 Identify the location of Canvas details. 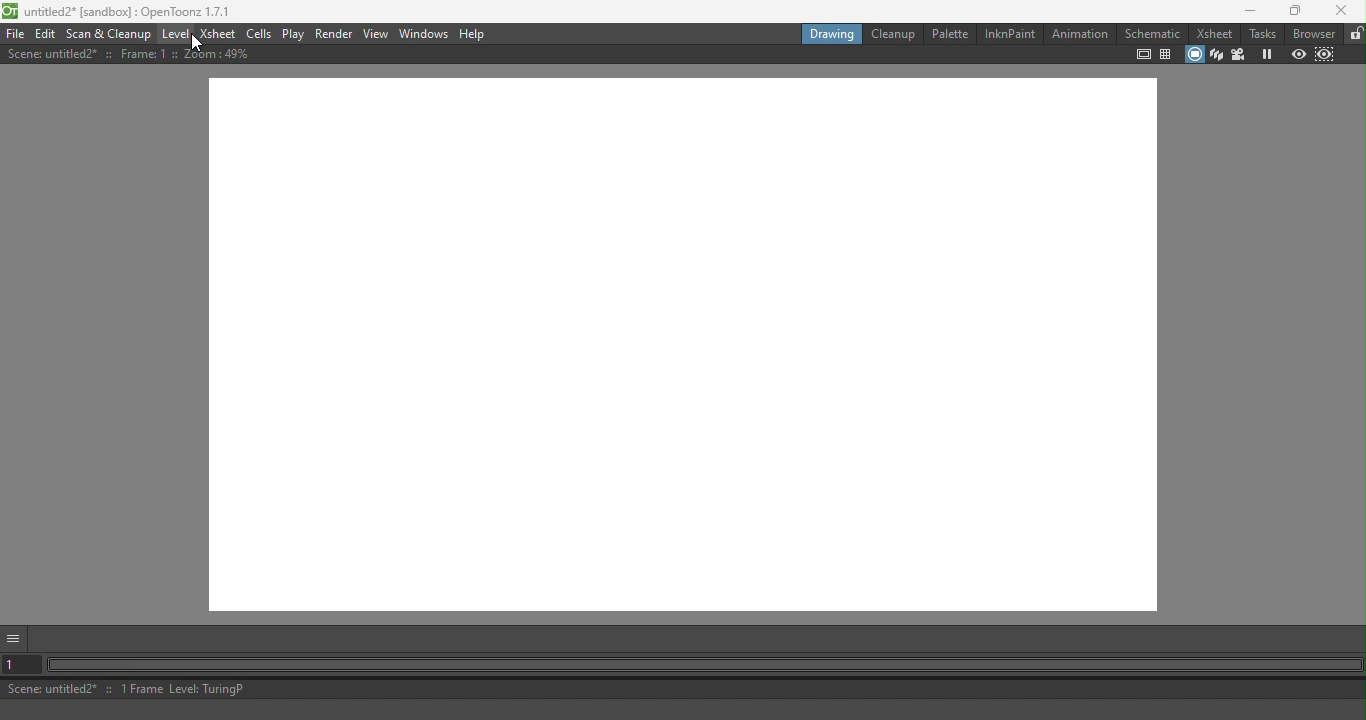
(137, 56).